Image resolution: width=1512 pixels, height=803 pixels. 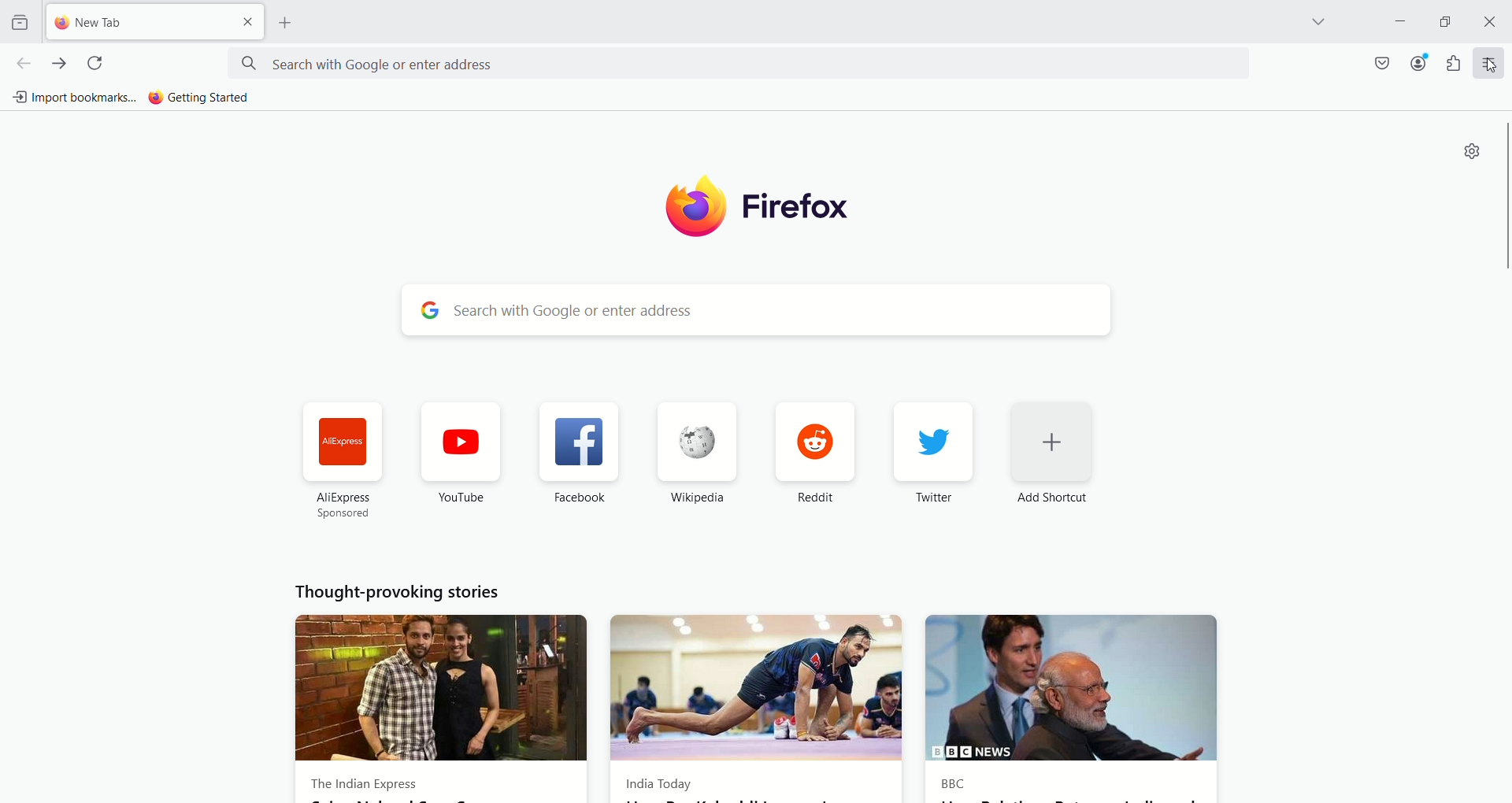 I want to click on The Indian express, so click(x=446, y=708).